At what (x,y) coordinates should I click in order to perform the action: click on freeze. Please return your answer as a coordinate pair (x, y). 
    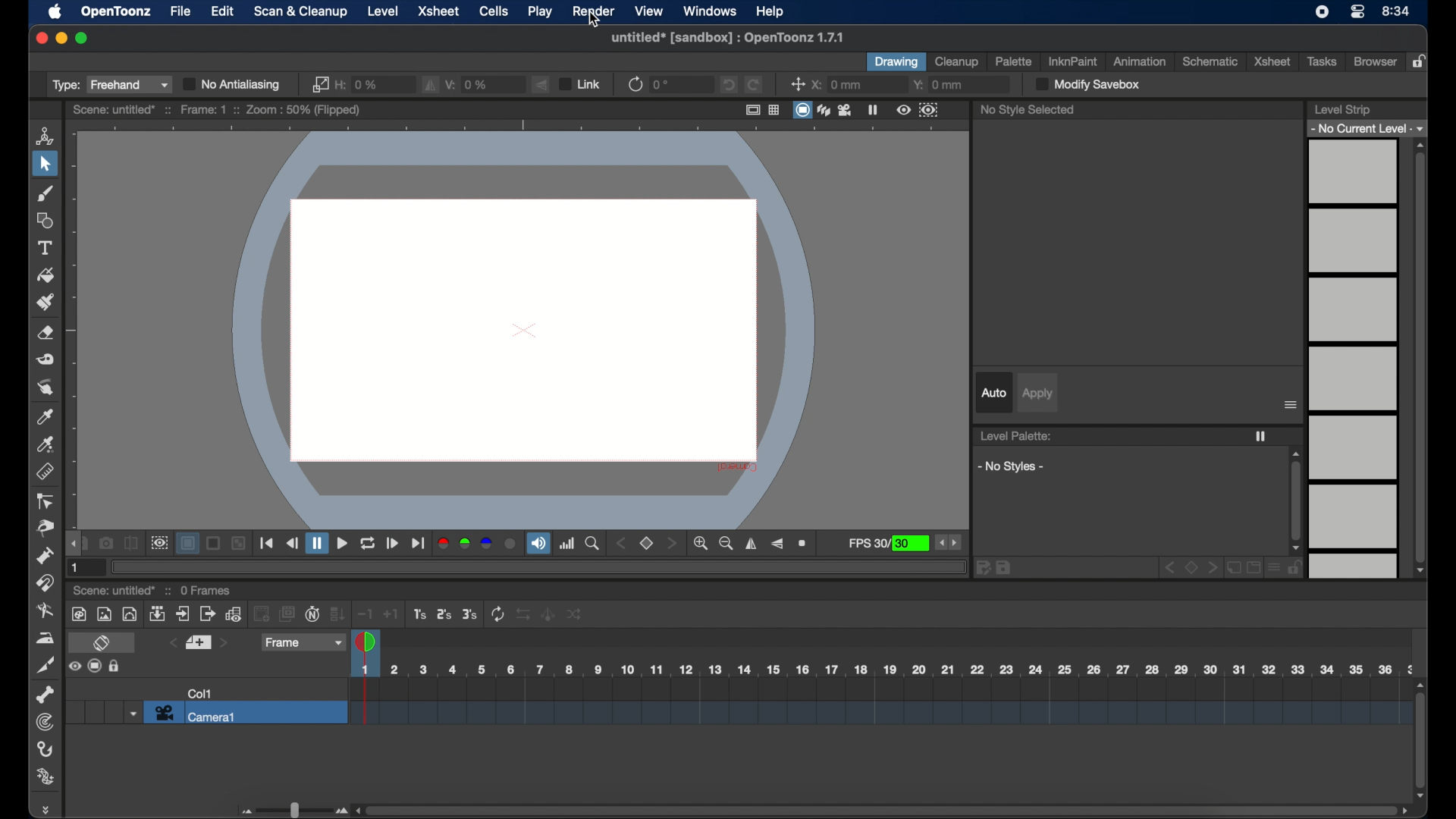
    Looking at the image, I should click on (1260, 436).